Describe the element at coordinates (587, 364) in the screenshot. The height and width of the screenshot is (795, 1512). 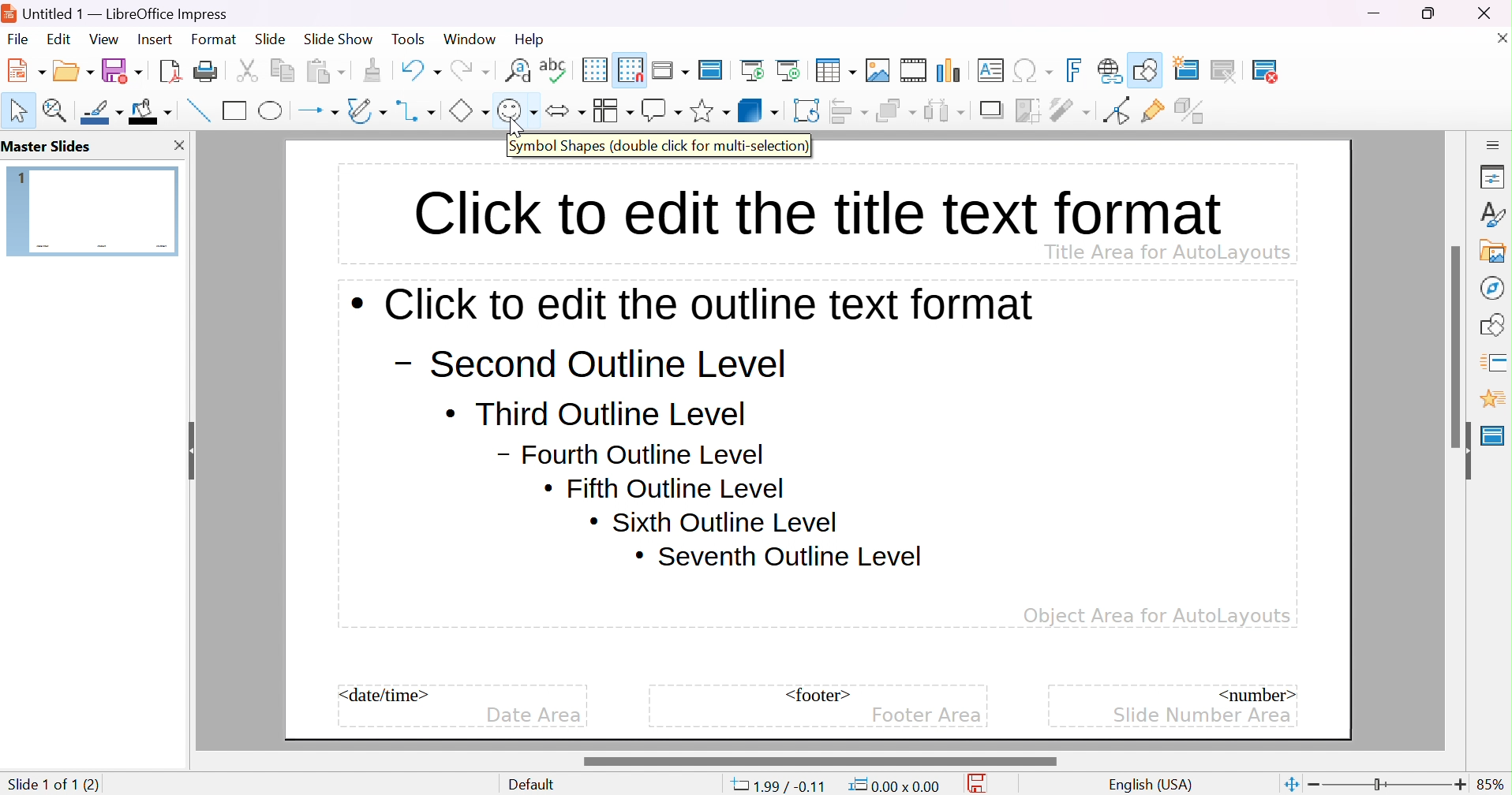
I see `second outline level` at that location.